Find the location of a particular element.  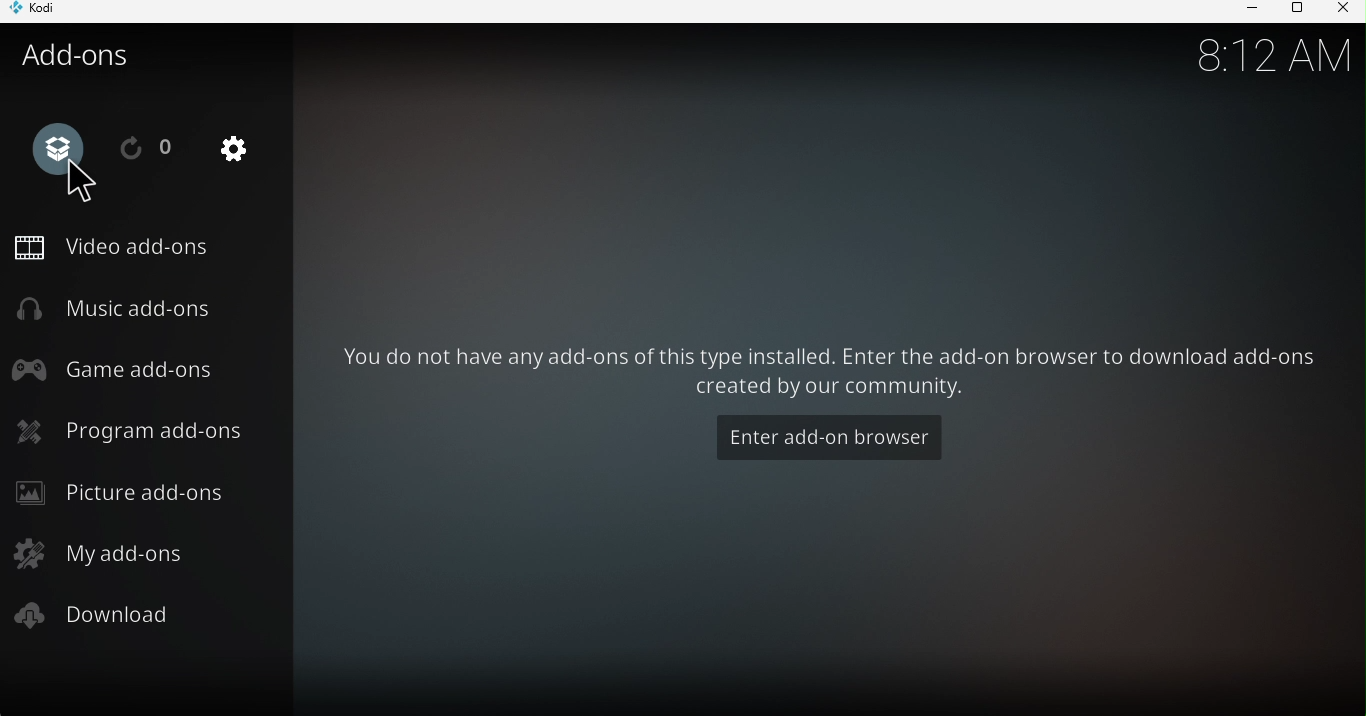

Close is located at coordinates (1342, 11).